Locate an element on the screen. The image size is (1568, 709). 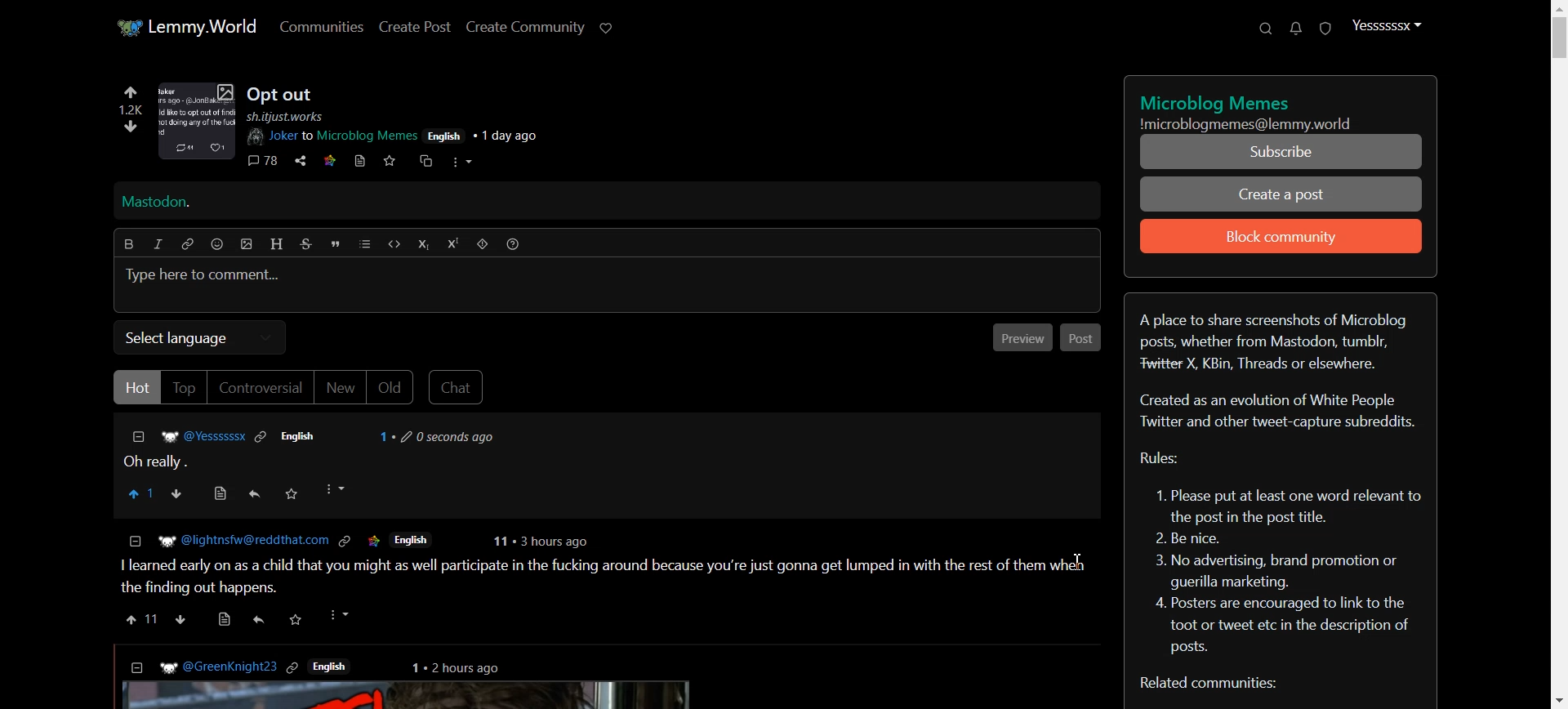
Upvote is located at coordinates (142, 494).